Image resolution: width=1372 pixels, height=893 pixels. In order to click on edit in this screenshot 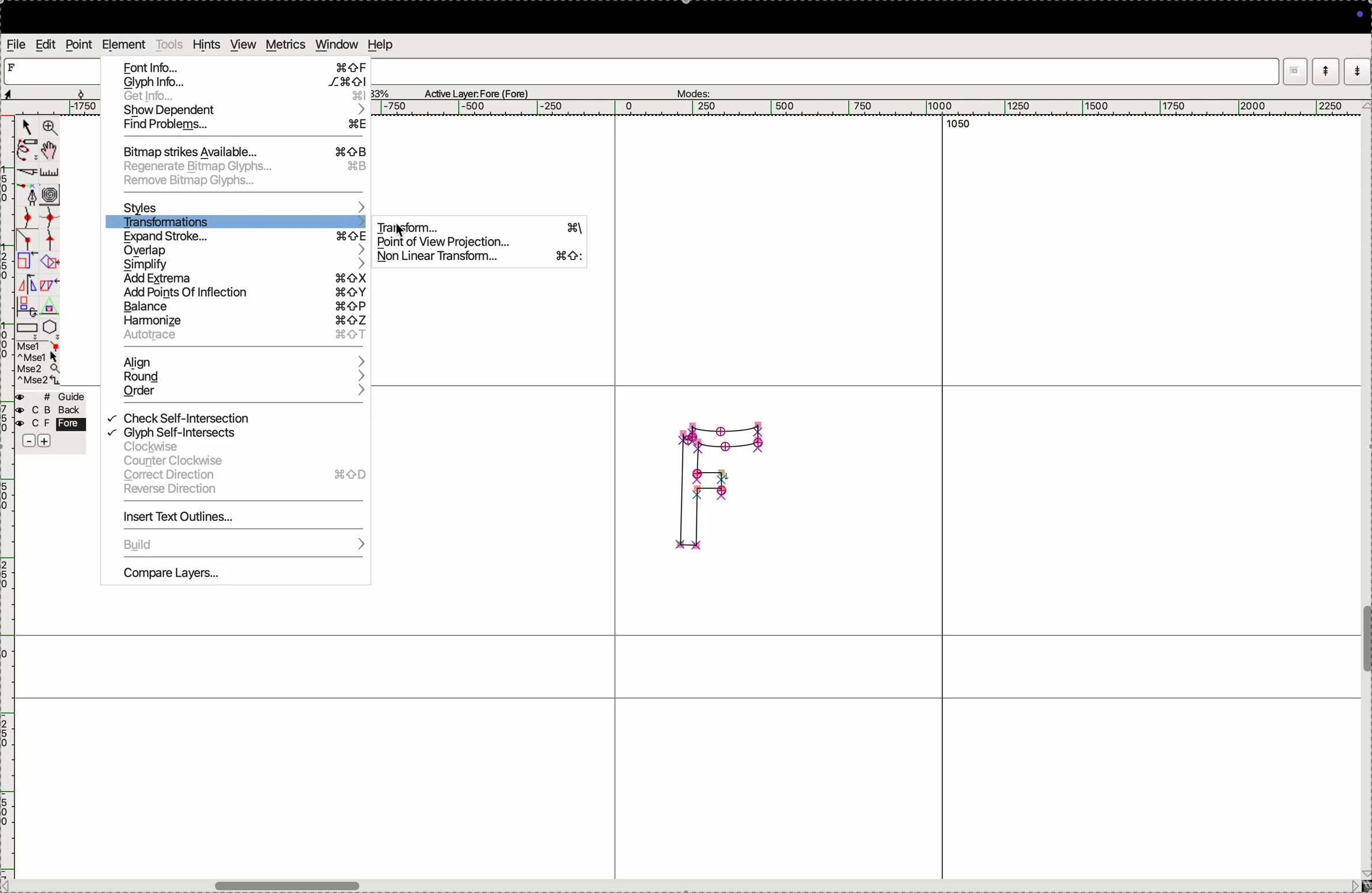, I will do `click(47, 44)`.